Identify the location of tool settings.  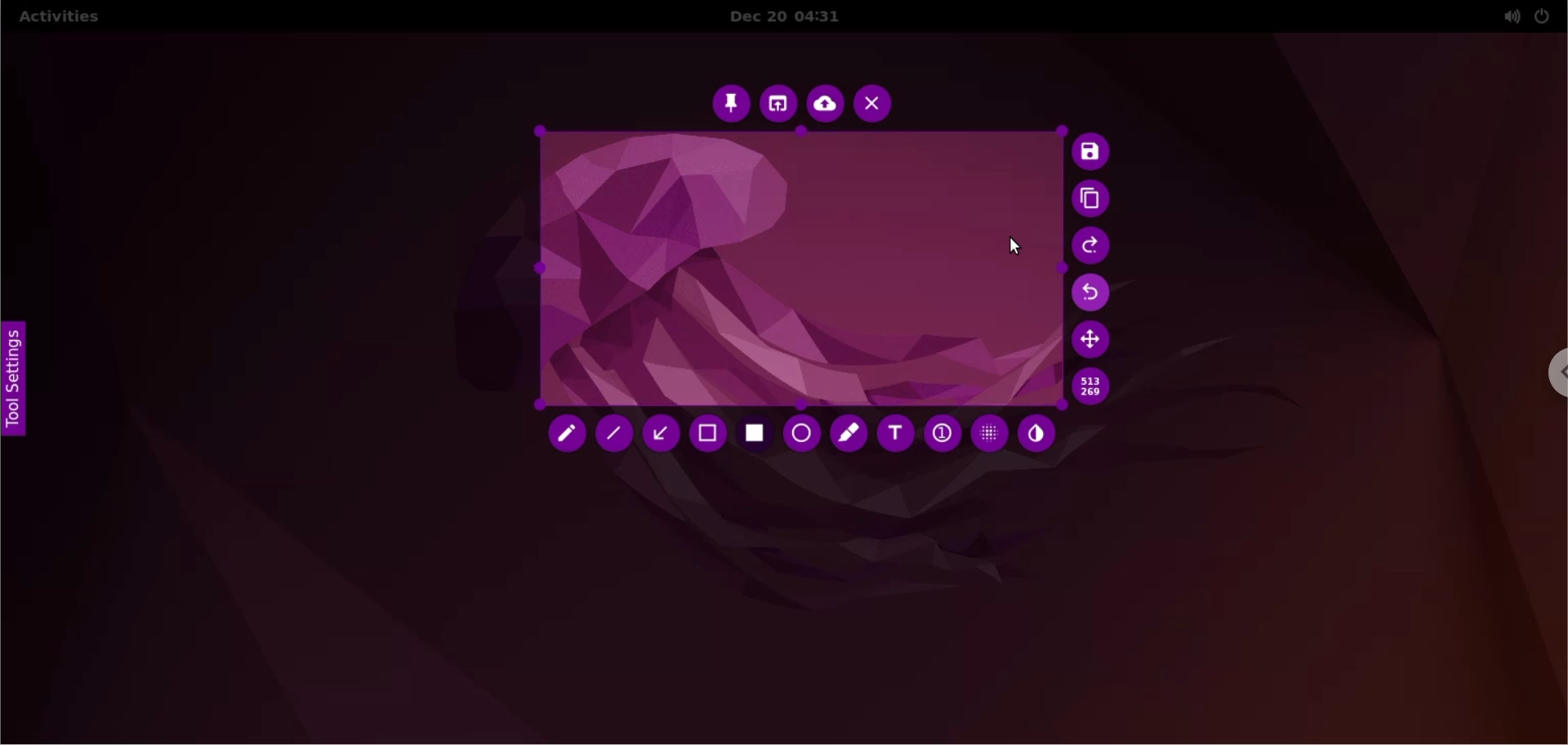
(16, 386).